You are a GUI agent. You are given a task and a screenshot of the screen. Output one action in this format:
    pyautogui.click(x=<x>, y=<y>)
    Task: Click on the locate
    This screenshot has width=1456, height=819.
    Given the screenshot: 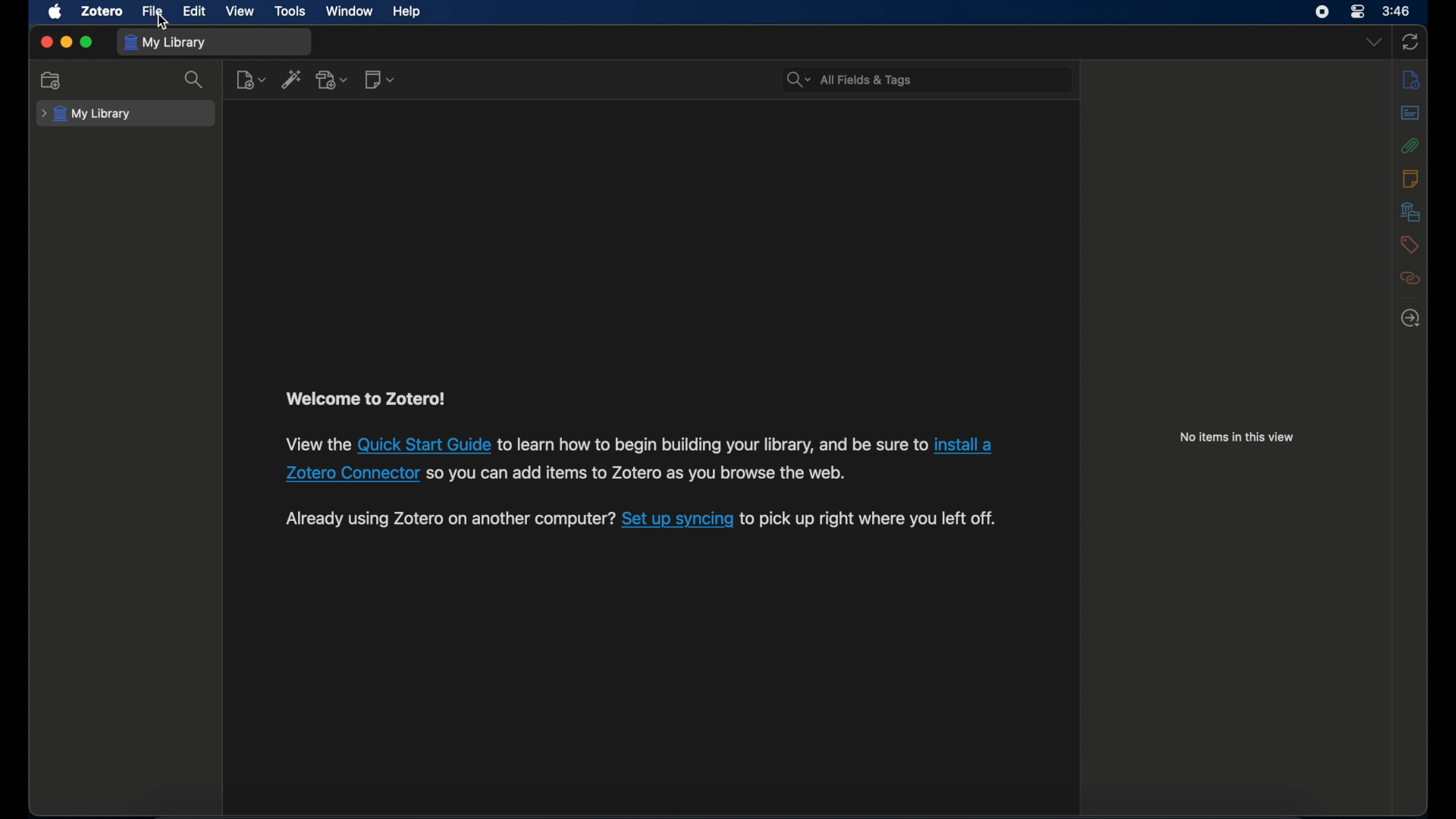 What is the action you would take?
    pyautogui.click(x=1410, y=319)
    